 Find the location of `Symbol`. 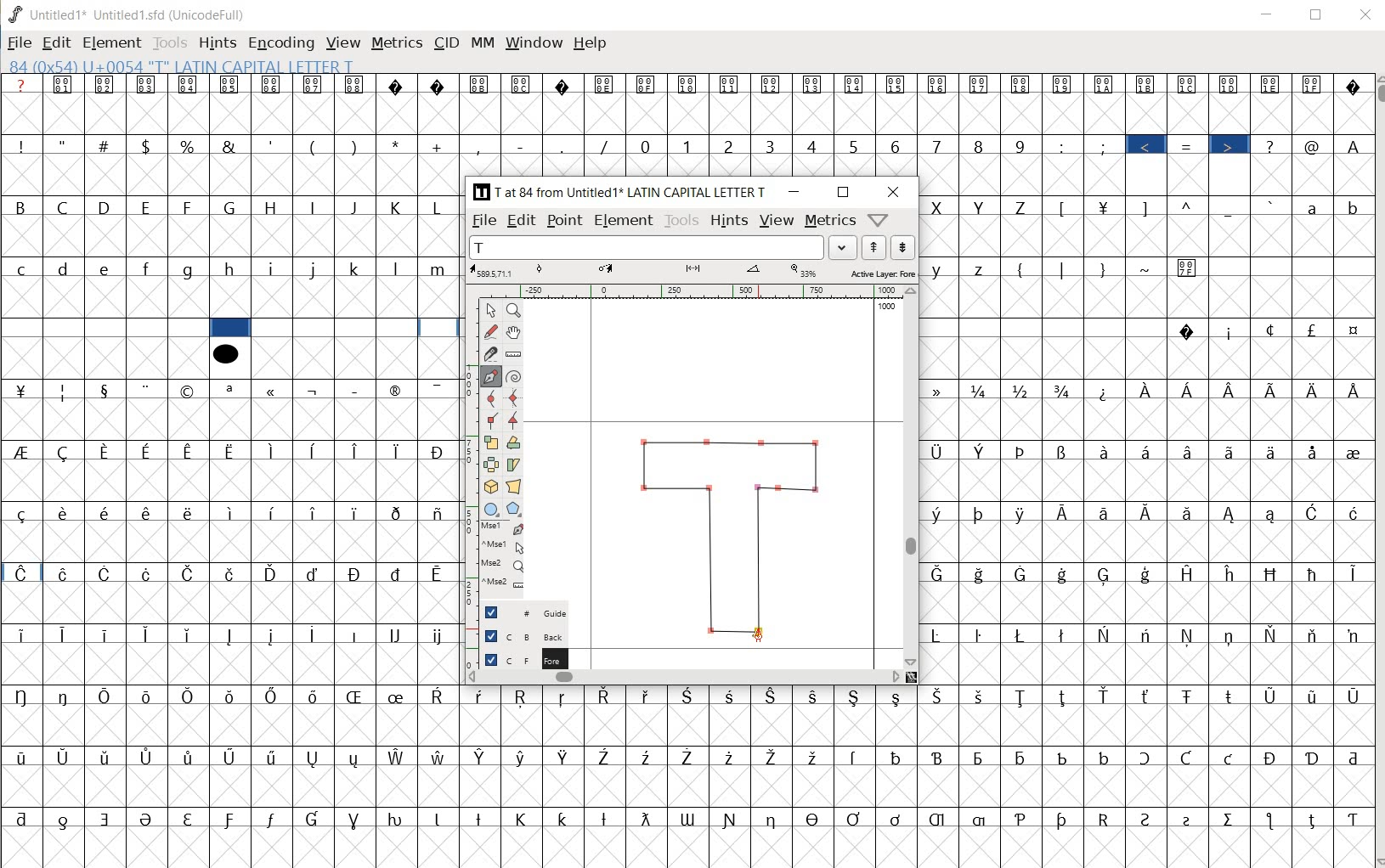

Symbol is located at coordinates (357, 86).